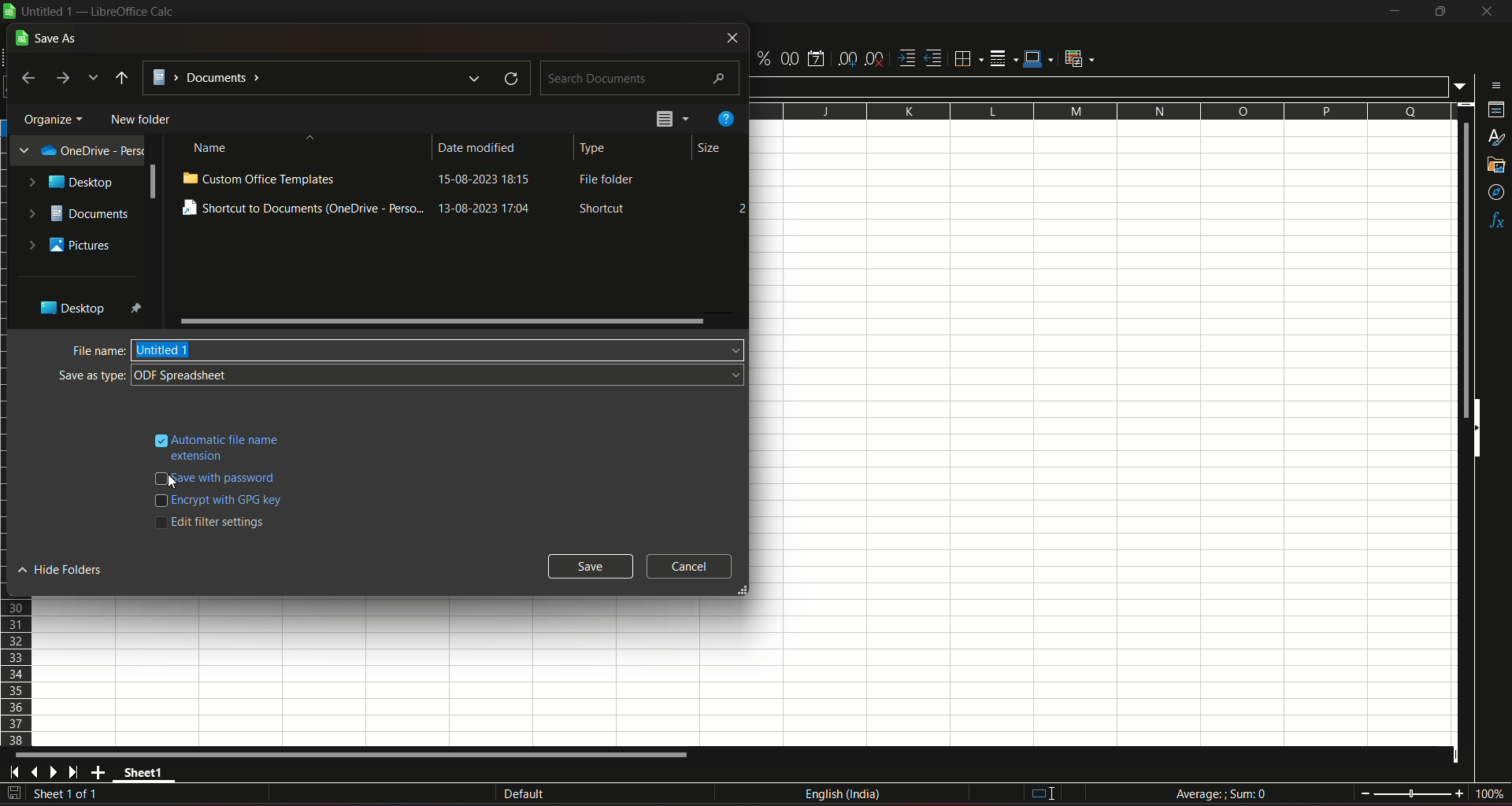  Describe the element at coordinates (1039, 60) in the screenshot. I see `border color` at that location.